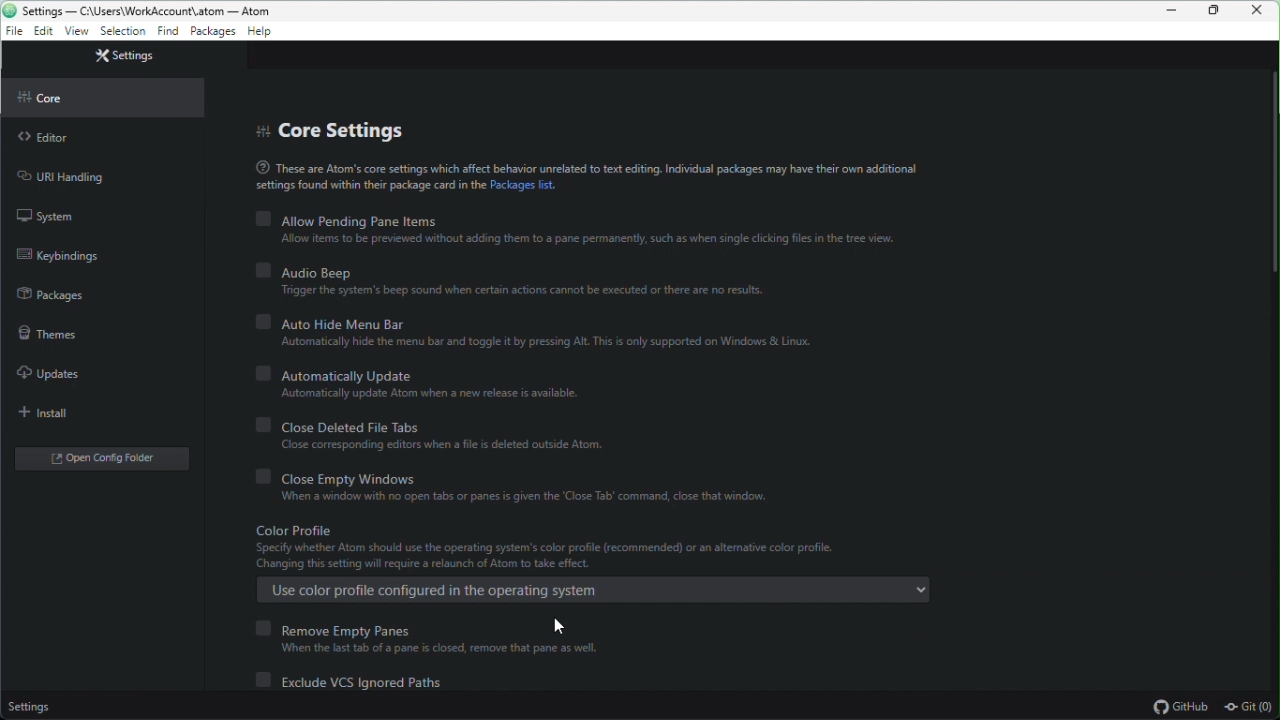 Image resolution: width=1280 pixels, height=720 pixels. What do you see at coordinates (455, 438) in the screenshot?
I see `close deleted file tabs` at bounding box center [455, 438].